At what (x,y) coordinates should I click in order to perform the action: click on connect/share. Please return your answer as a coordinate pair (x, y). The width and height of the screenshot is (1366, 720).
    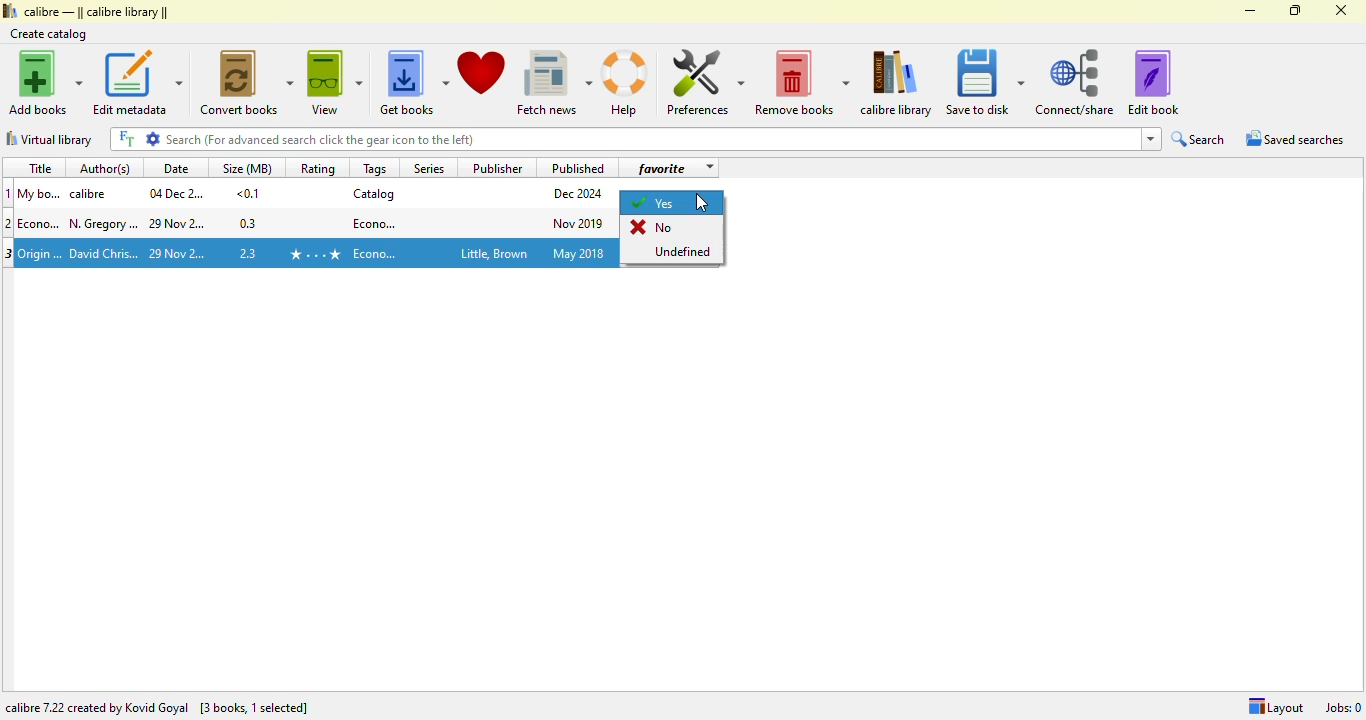
    Looking at the image, I should click on (1075, 82).